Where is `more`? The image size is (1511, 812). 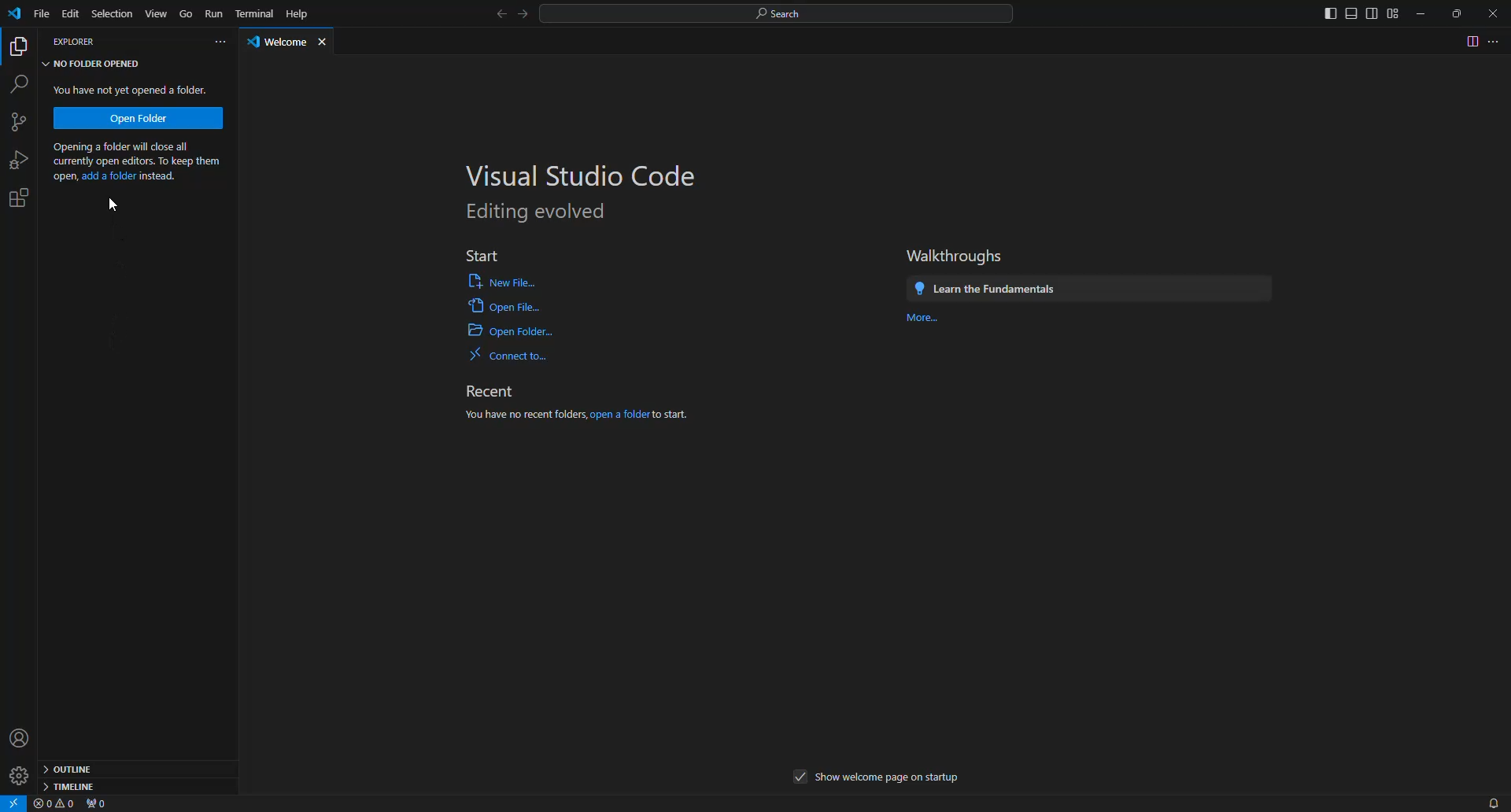
more is located at coordinates (927, 320).